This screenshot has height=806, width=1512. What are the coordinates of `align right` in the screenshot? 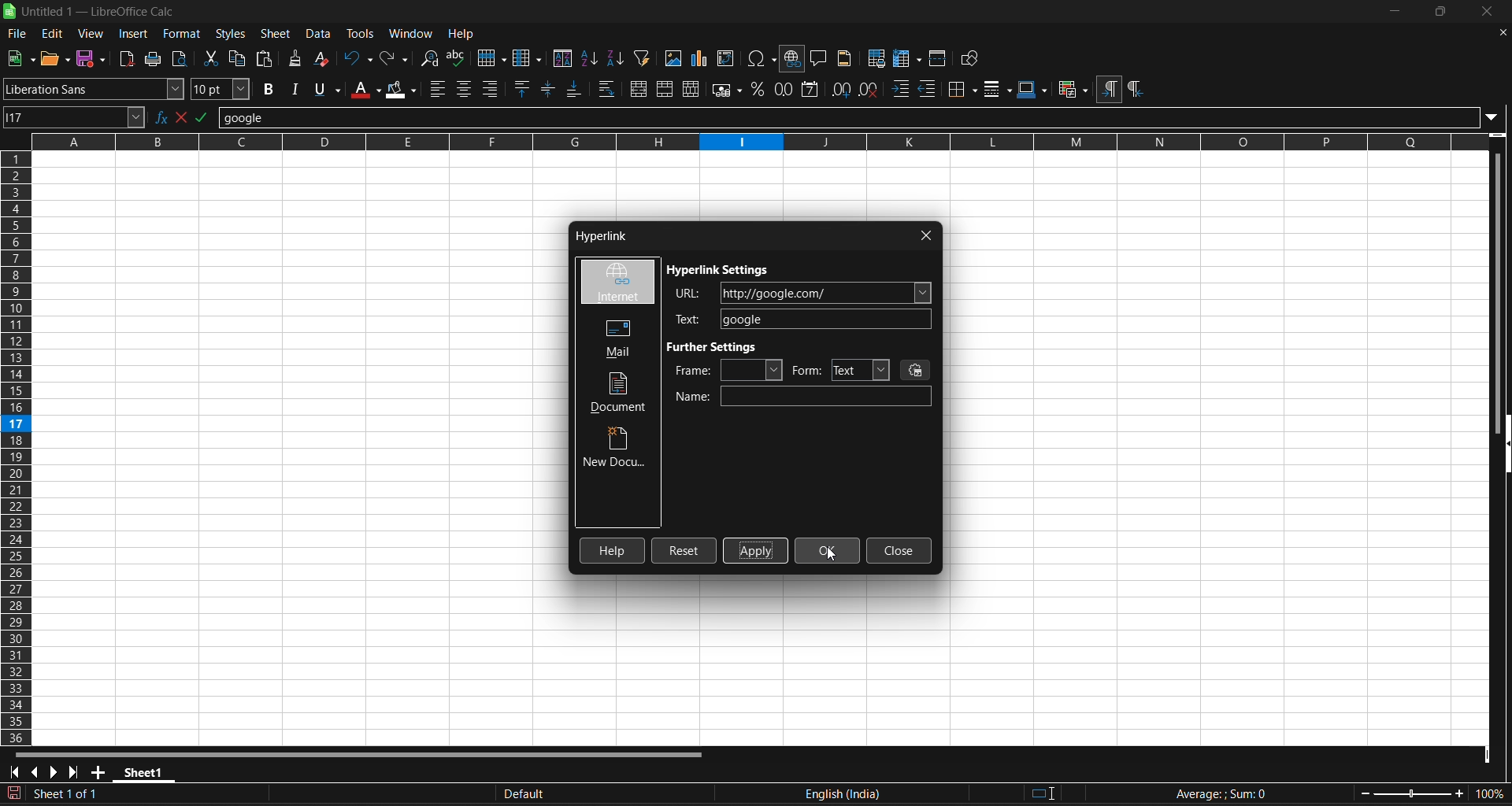 It's located at (491, 89).